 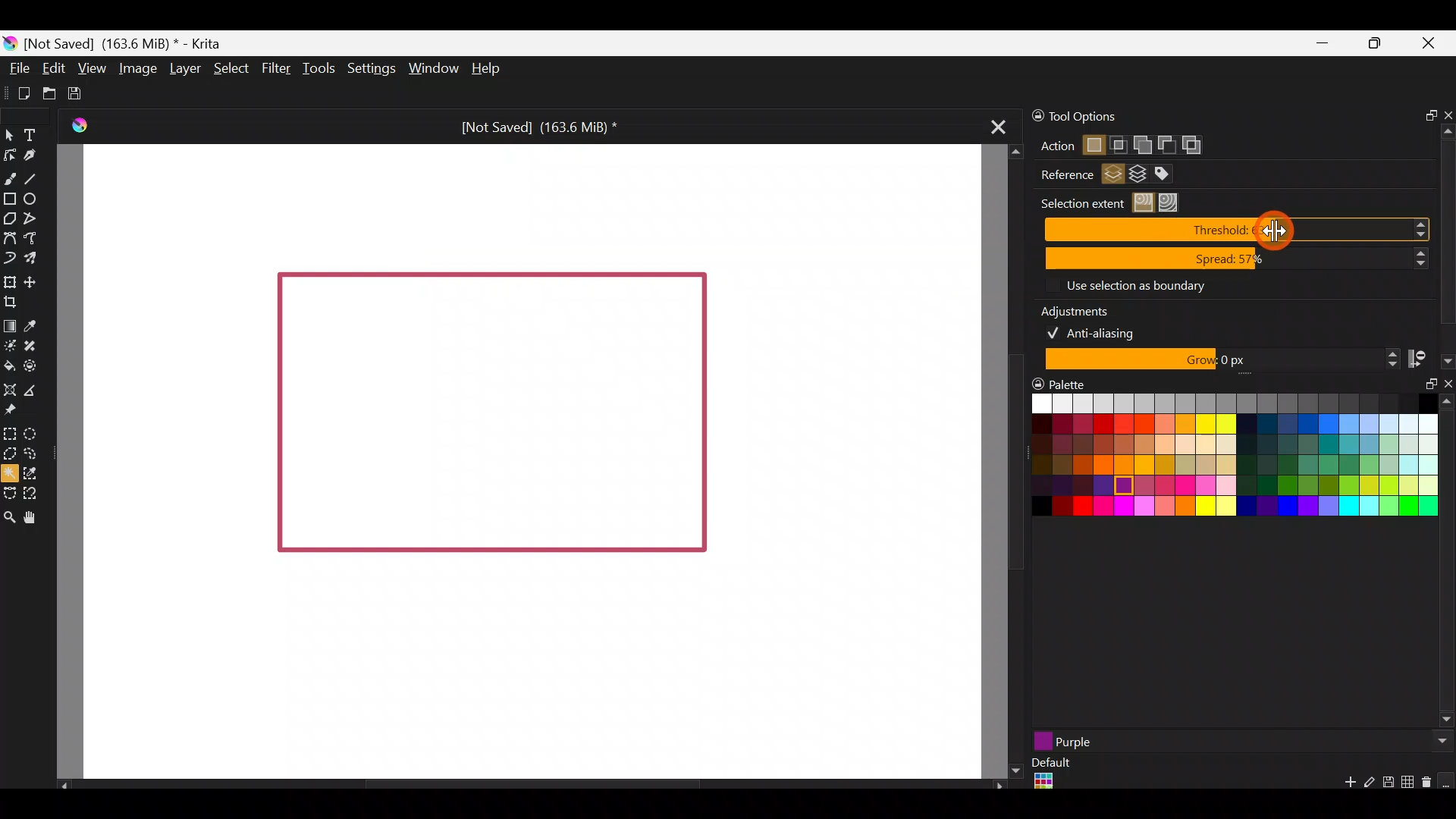 What do you see at coordinates (9, 257) in the screenshot?
I see `Dynamic brush tool` at bounding box center [9, 257].